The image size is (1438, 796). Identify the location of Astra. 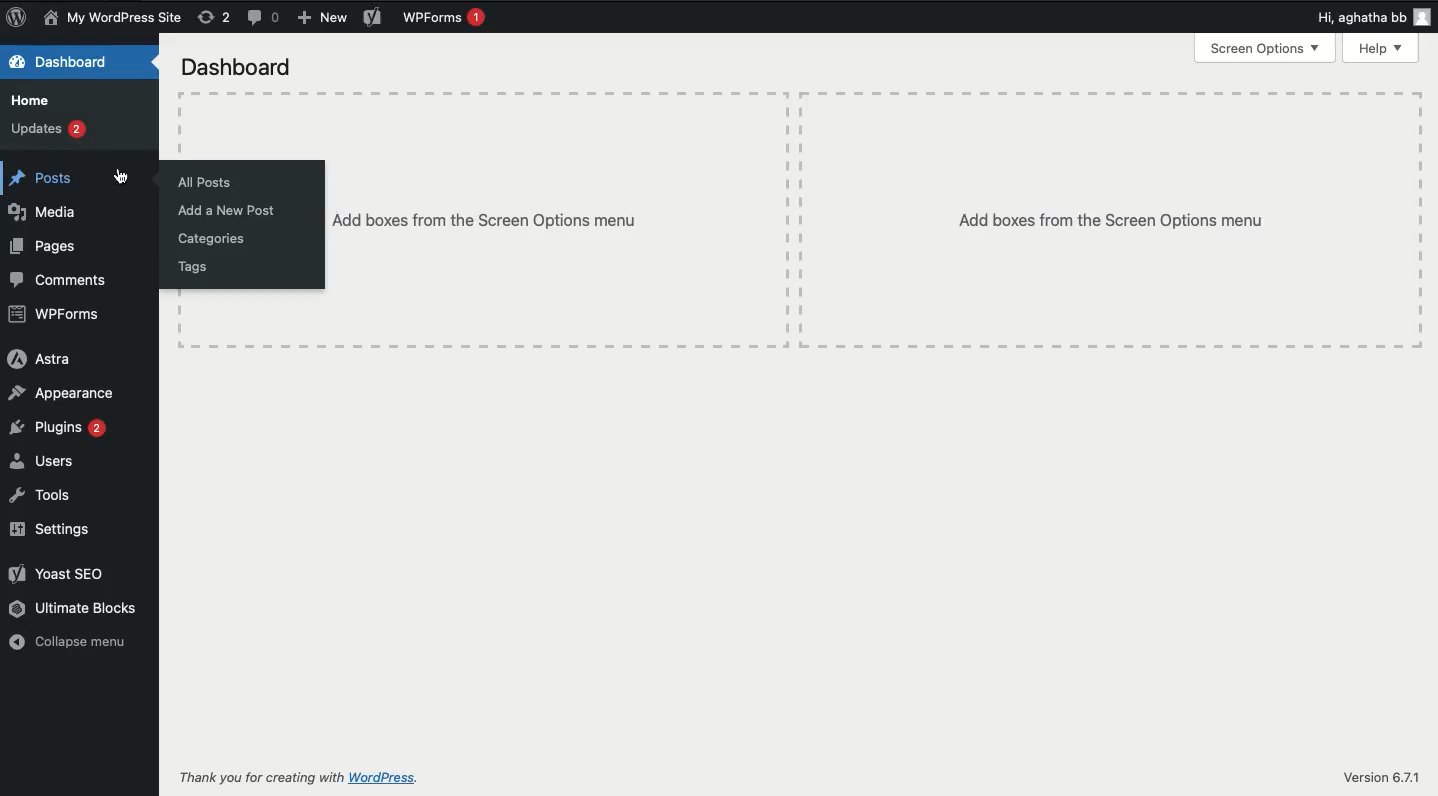
(43, 359).